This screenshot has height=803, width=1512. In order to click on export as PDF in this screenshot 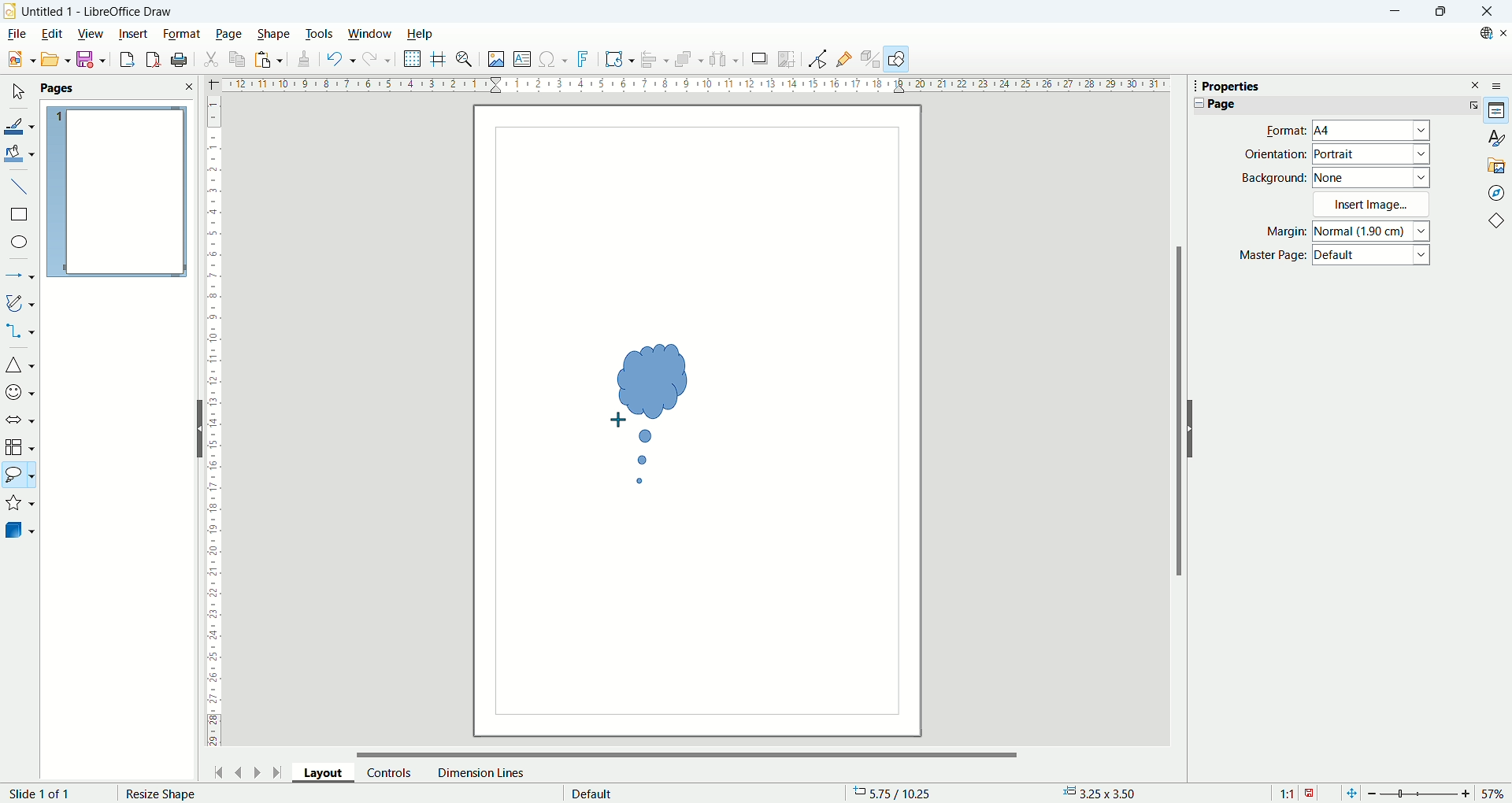, I will do `click(151, 60)`.